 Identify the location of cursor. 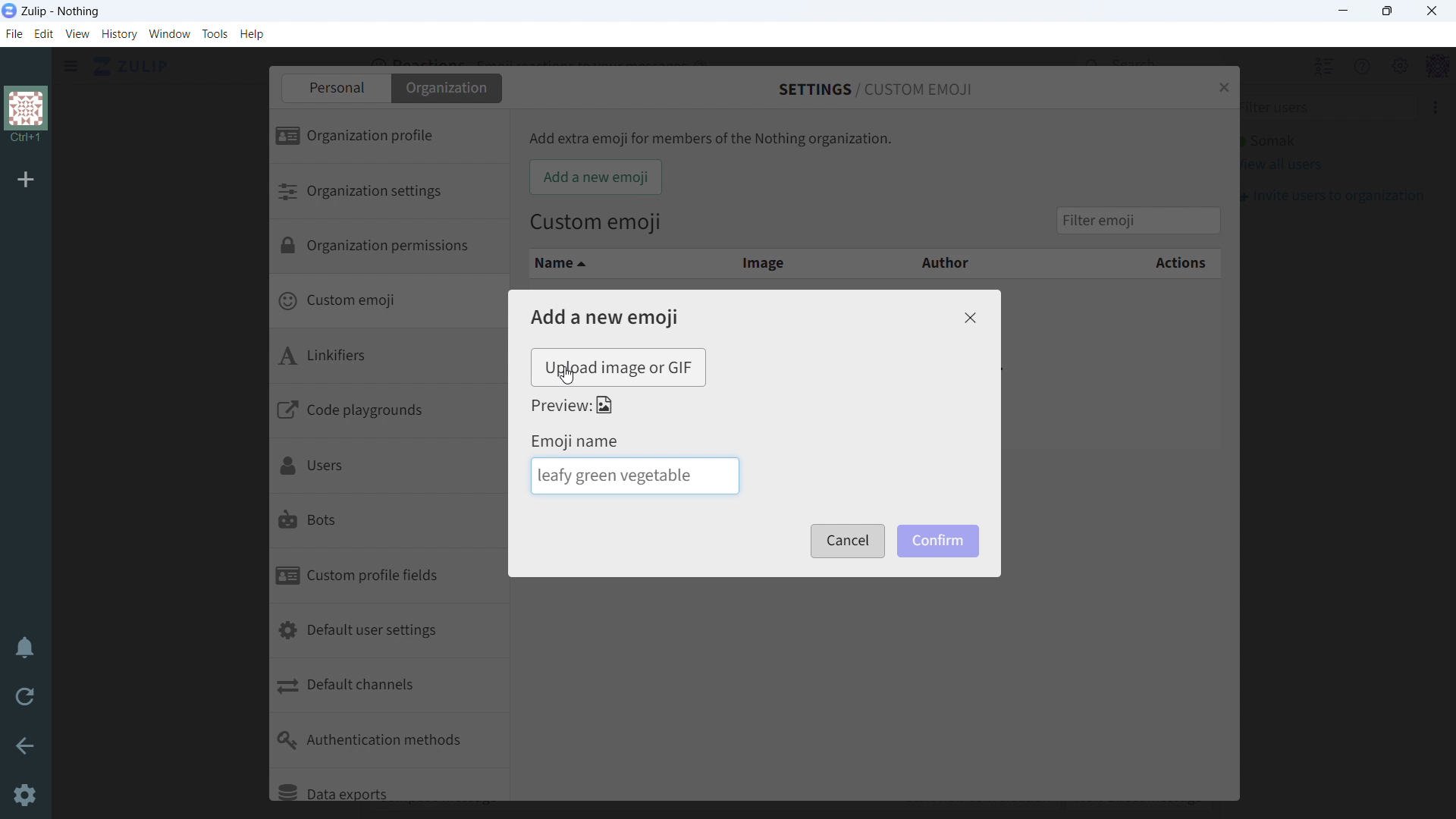
(566, 374).